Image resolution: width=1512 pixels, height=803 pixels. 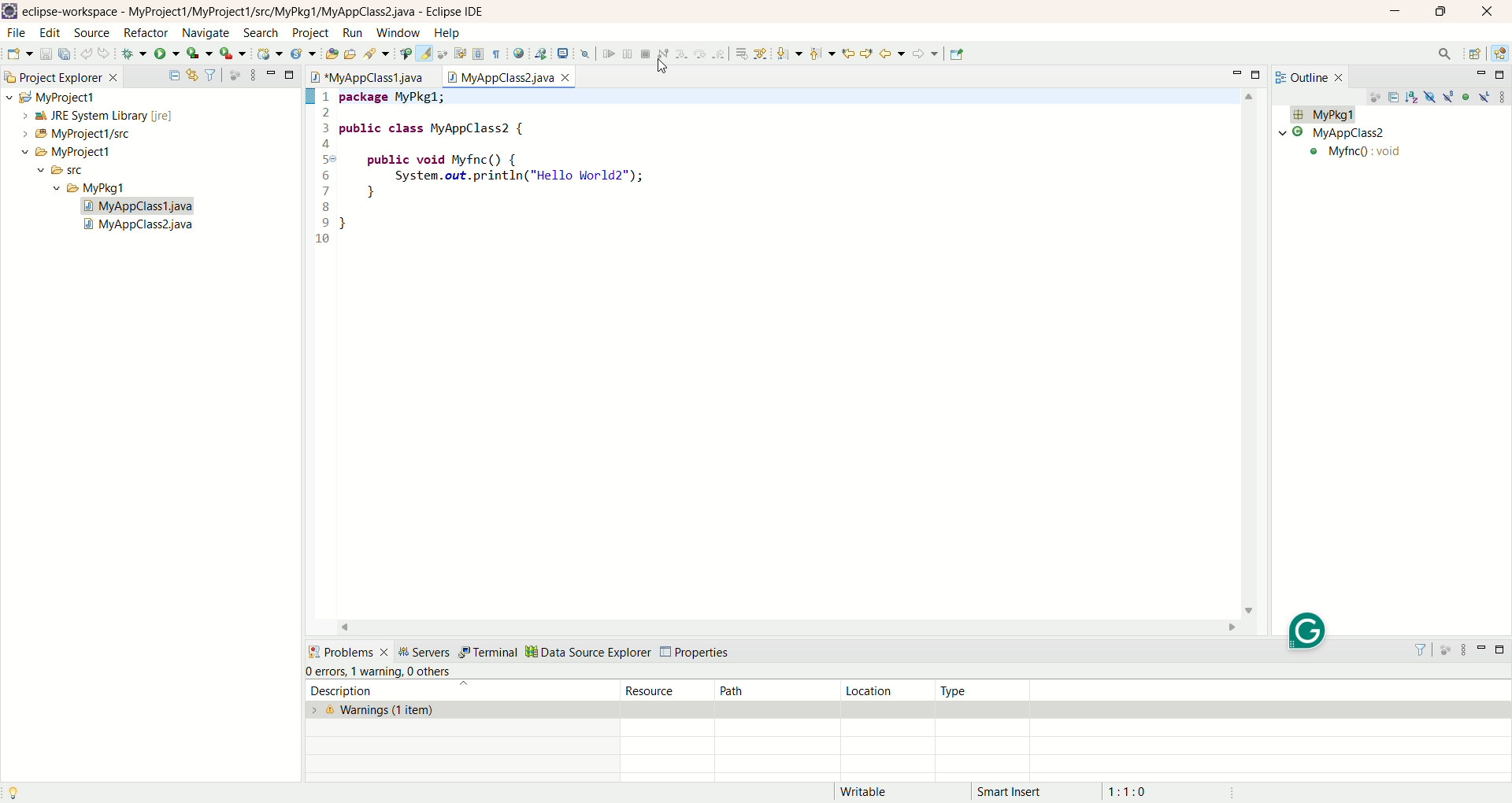 I want to click on resume, so click(x=607, y=55).